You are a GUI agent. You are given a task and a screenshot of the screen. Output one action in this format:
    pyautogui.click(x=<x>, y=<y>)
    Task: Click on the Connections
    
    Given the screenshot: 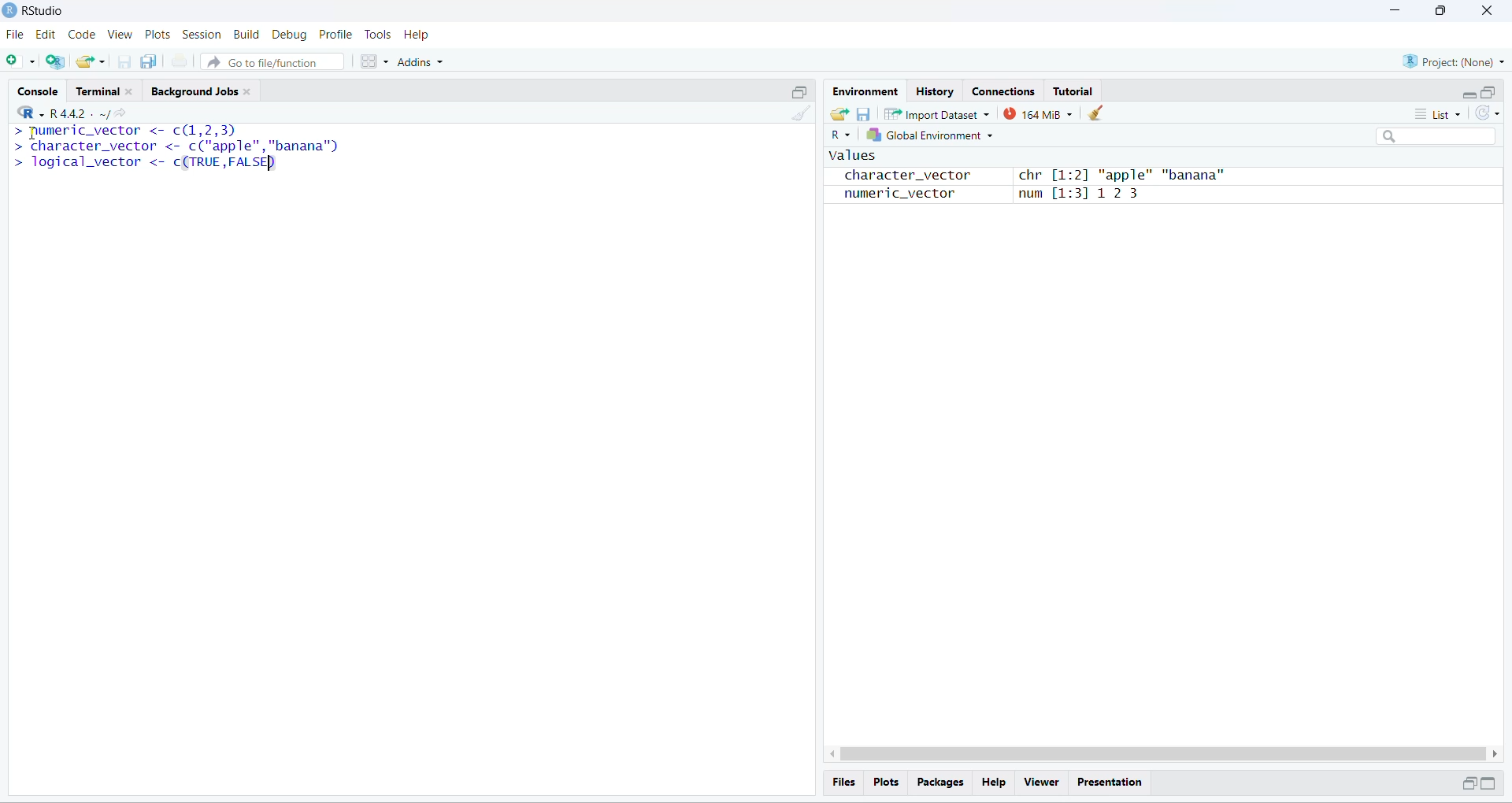 What is the action you would take?
    pyautogui.click(x=1002, y=90)
    